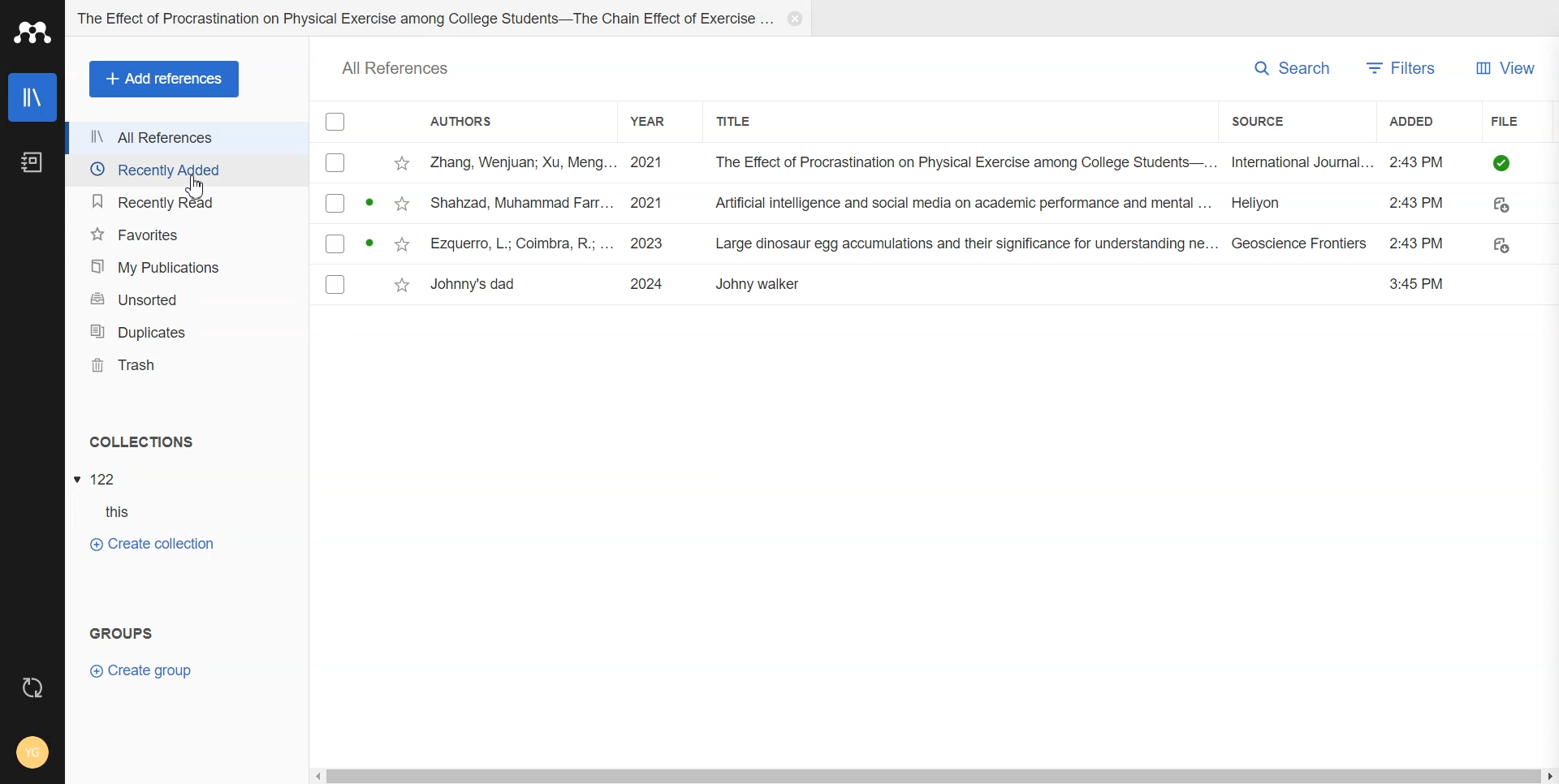 The image size is (1559, 784). Describe the element at coordinates (935, 203) in the screenshot. I see `File` at that location.